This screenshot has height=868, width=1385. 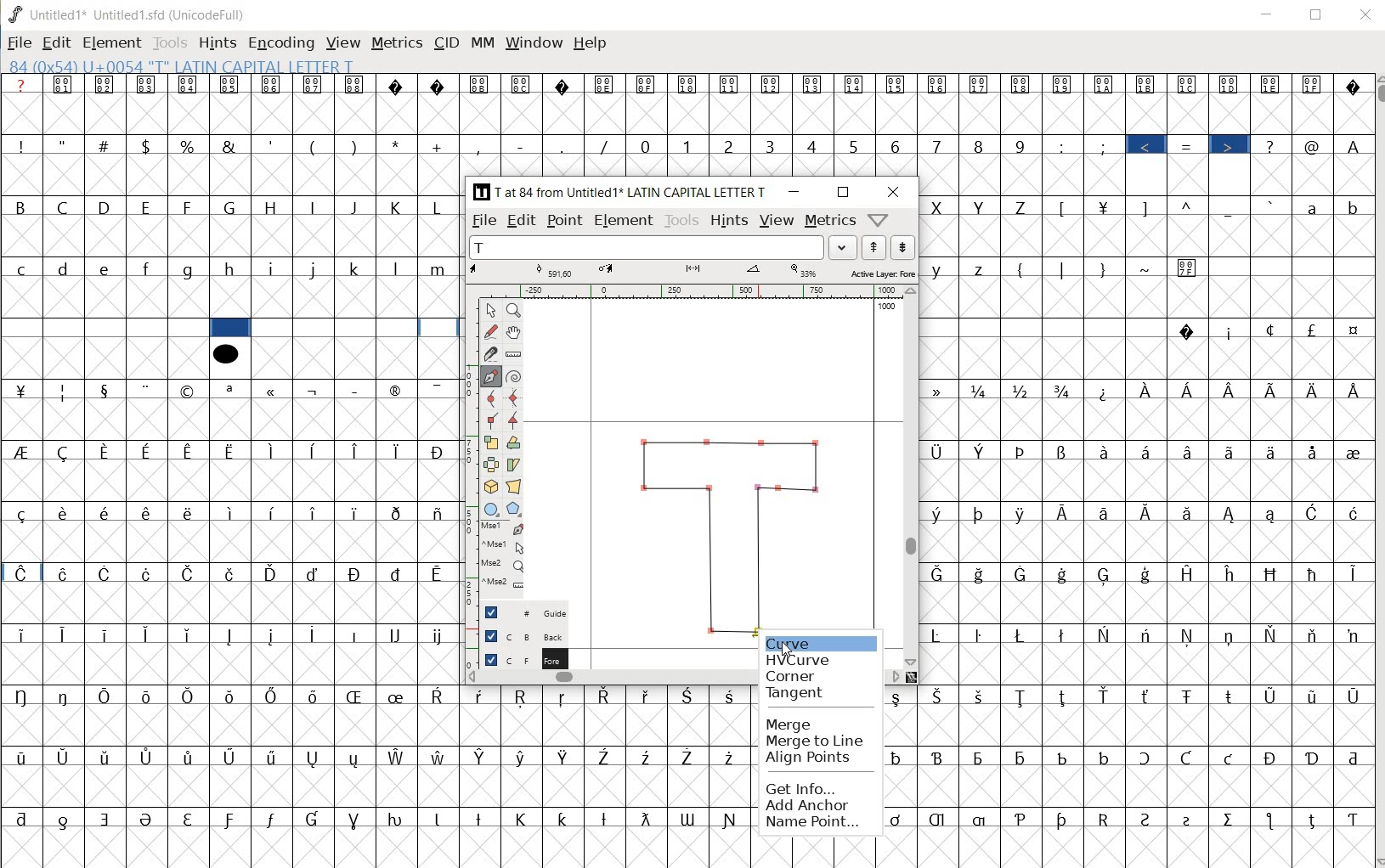 I want to click on Symbol, so click(x=1350, y=820).